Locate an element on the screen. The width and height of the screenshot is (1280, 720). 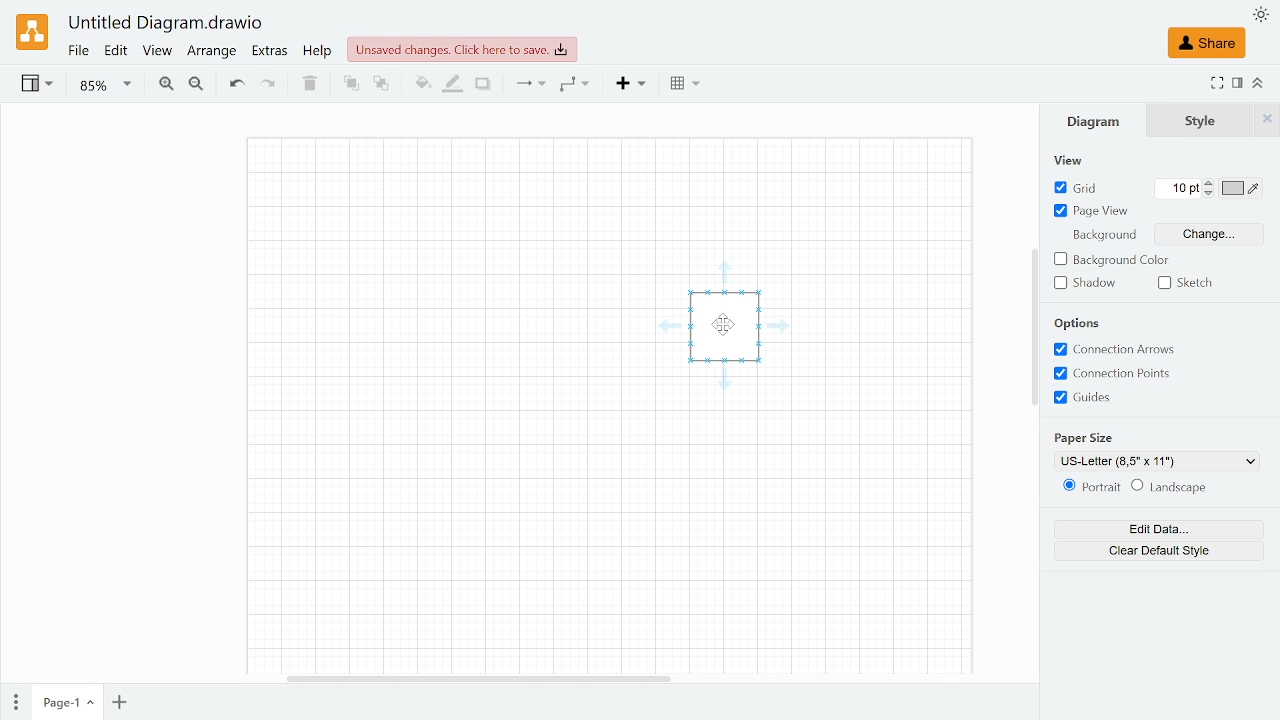
Cursor is located at coordinates (724, 325).